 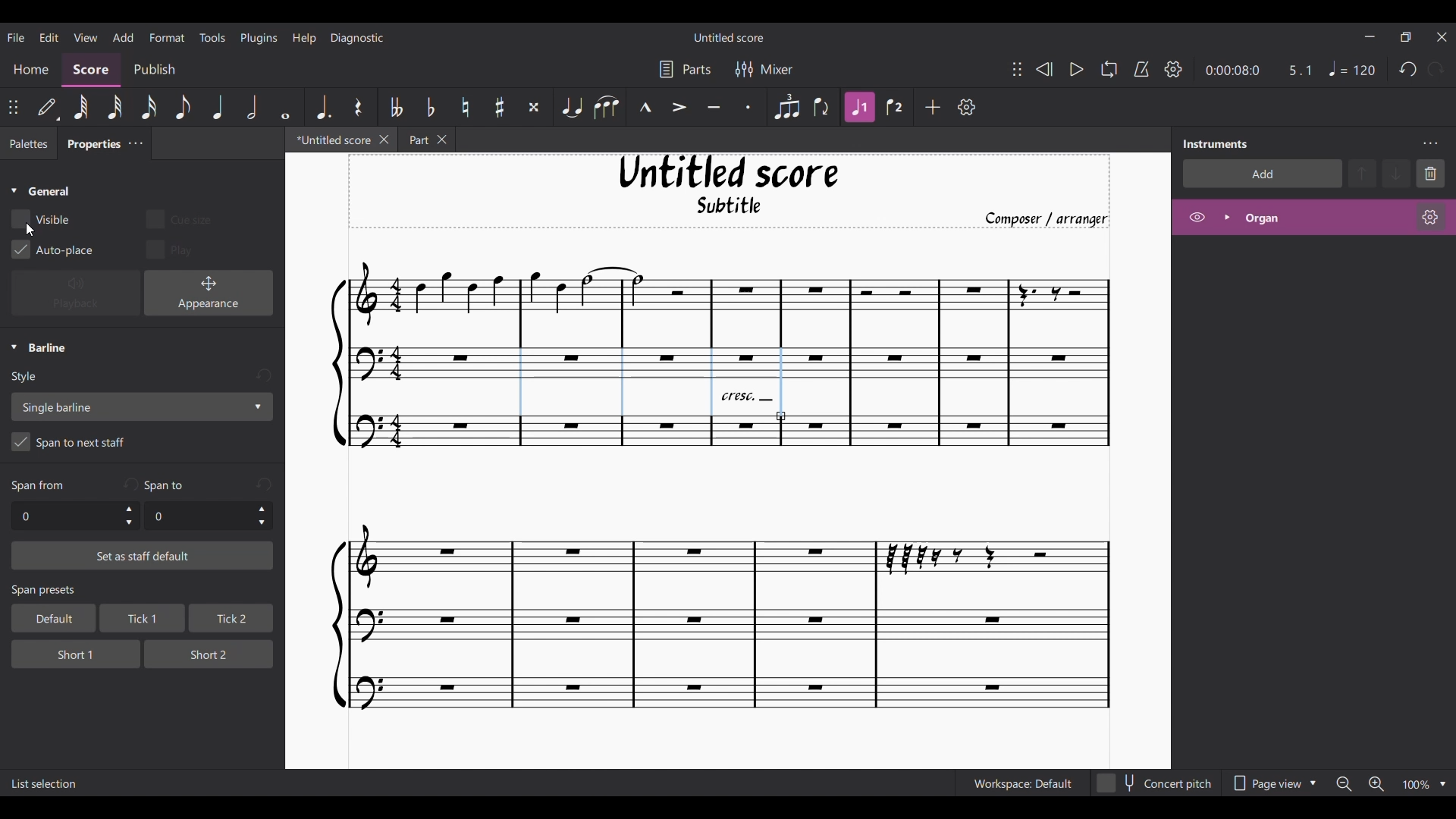 I want to click on Cursor clicking on Toggle for Visible, so click(x=29, y=230).